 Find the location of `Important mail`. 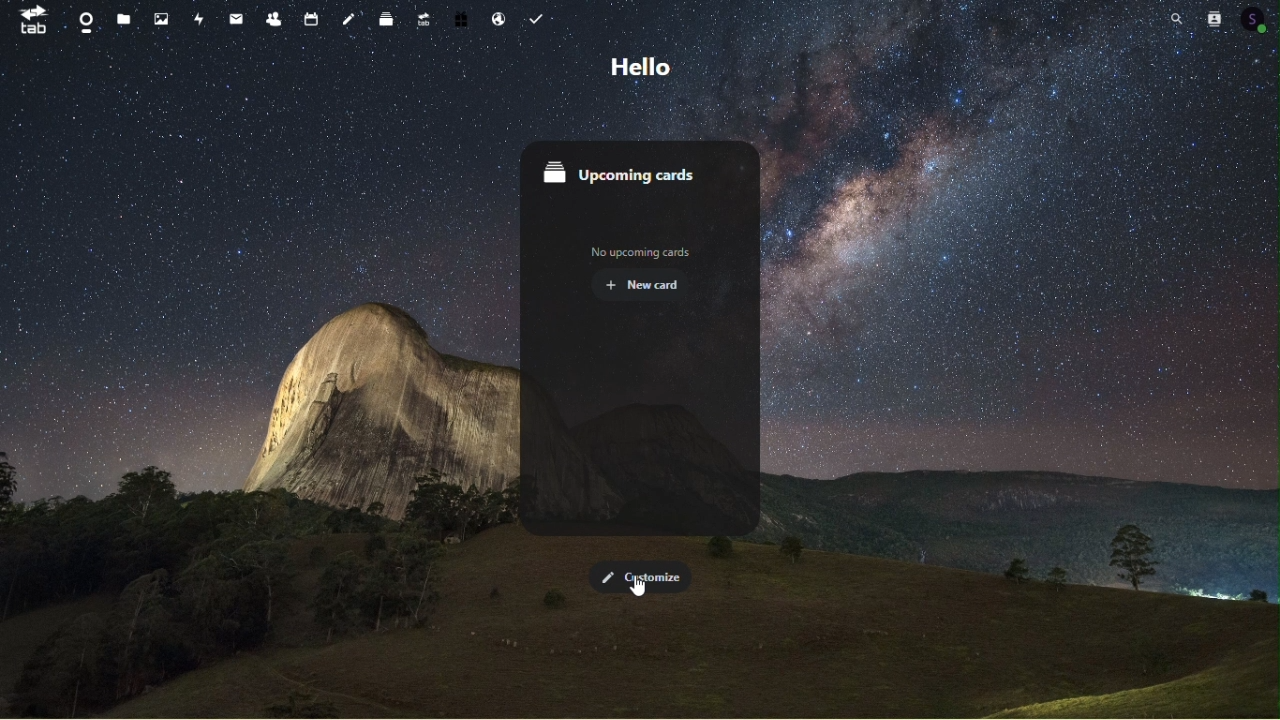

Important mail is located at coordinates (234, 19).